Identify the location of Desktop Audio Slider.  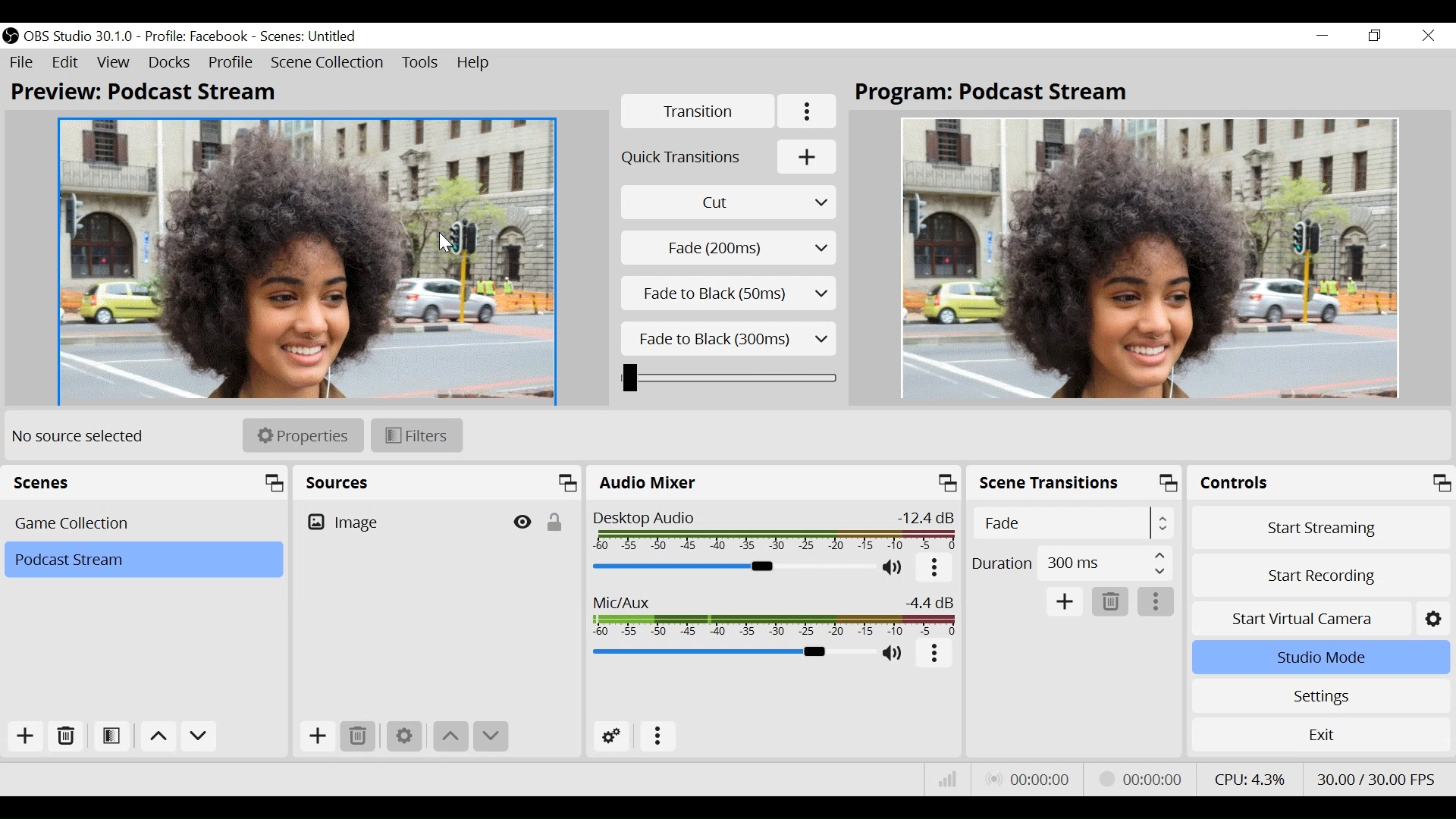
(730, 567).